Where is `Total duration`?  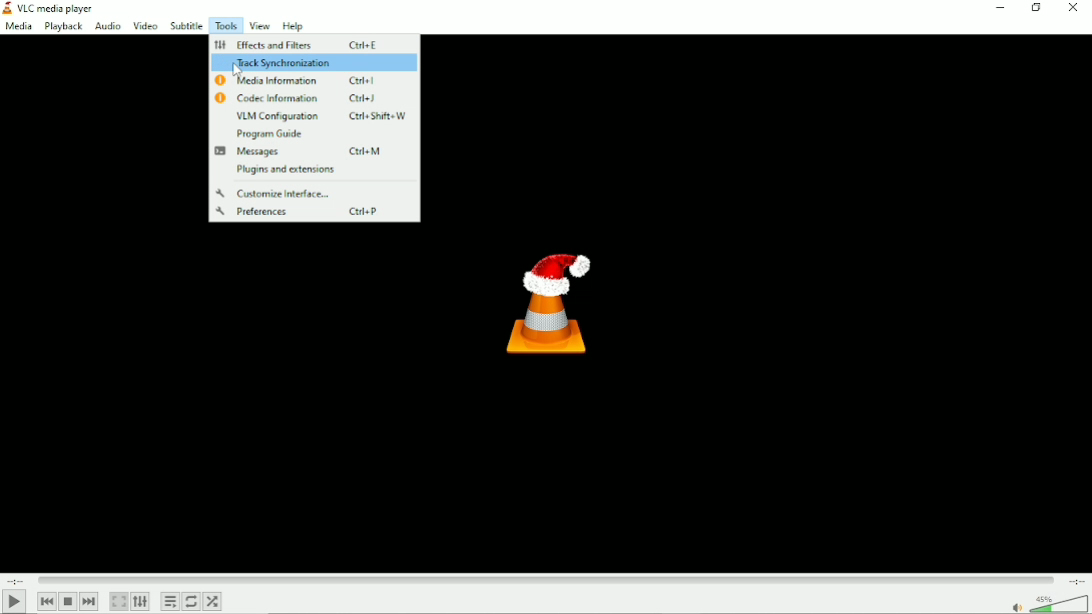 Total duration is located at coordinates (1077, 580).